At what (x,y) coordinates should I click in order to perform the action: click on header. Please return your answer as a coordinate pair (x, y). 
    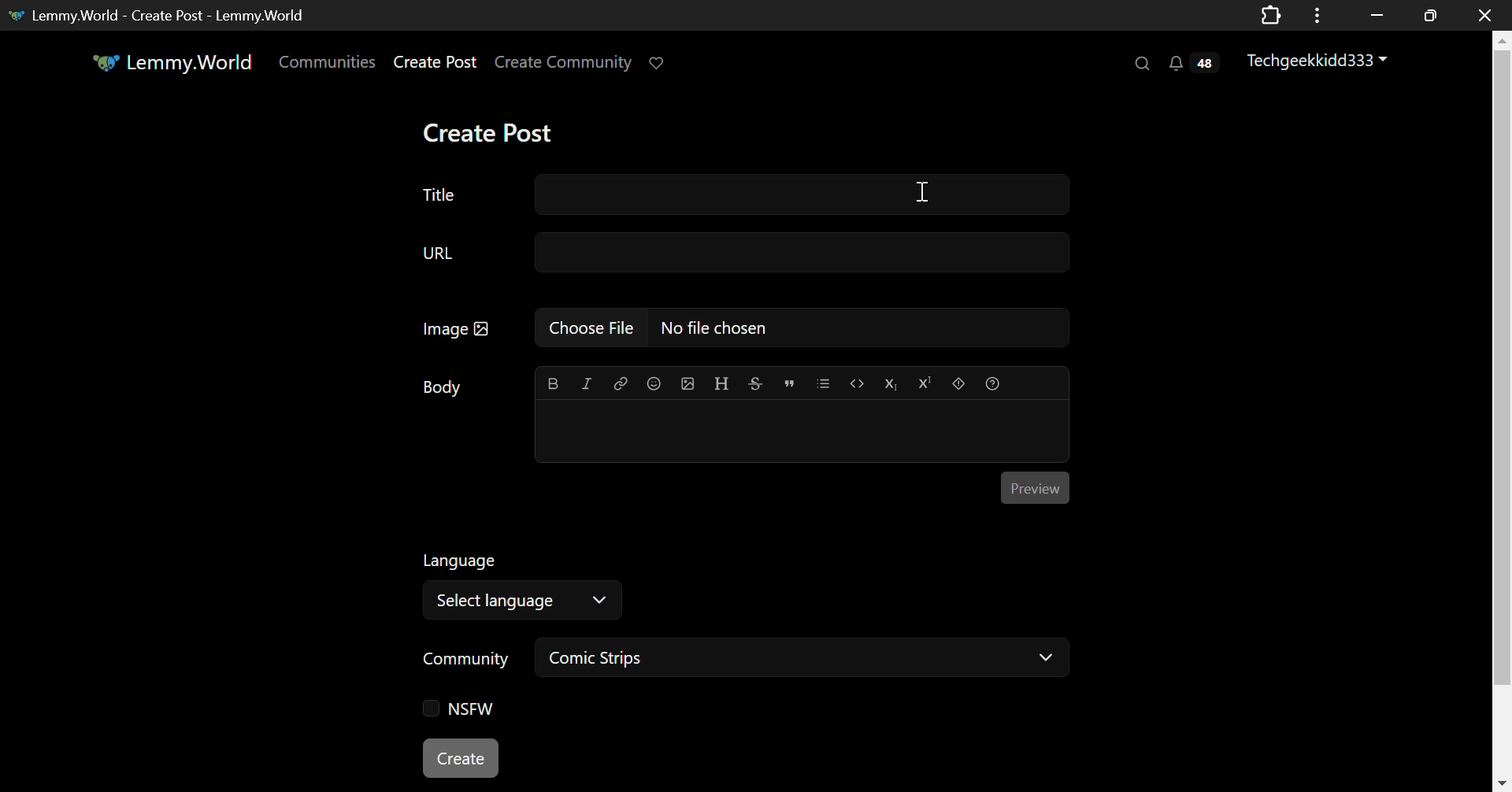
    Looking at the image, I should click on (720, 384).